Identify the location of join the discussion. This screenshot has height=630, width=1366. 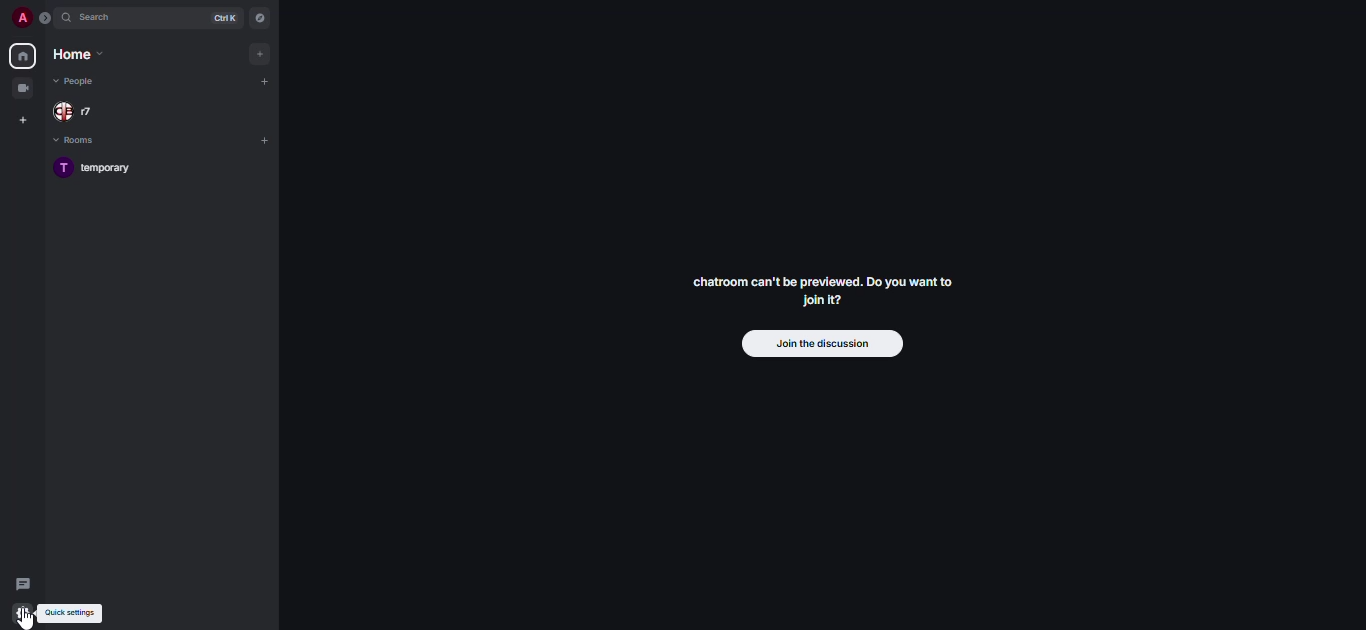
(820, 343).